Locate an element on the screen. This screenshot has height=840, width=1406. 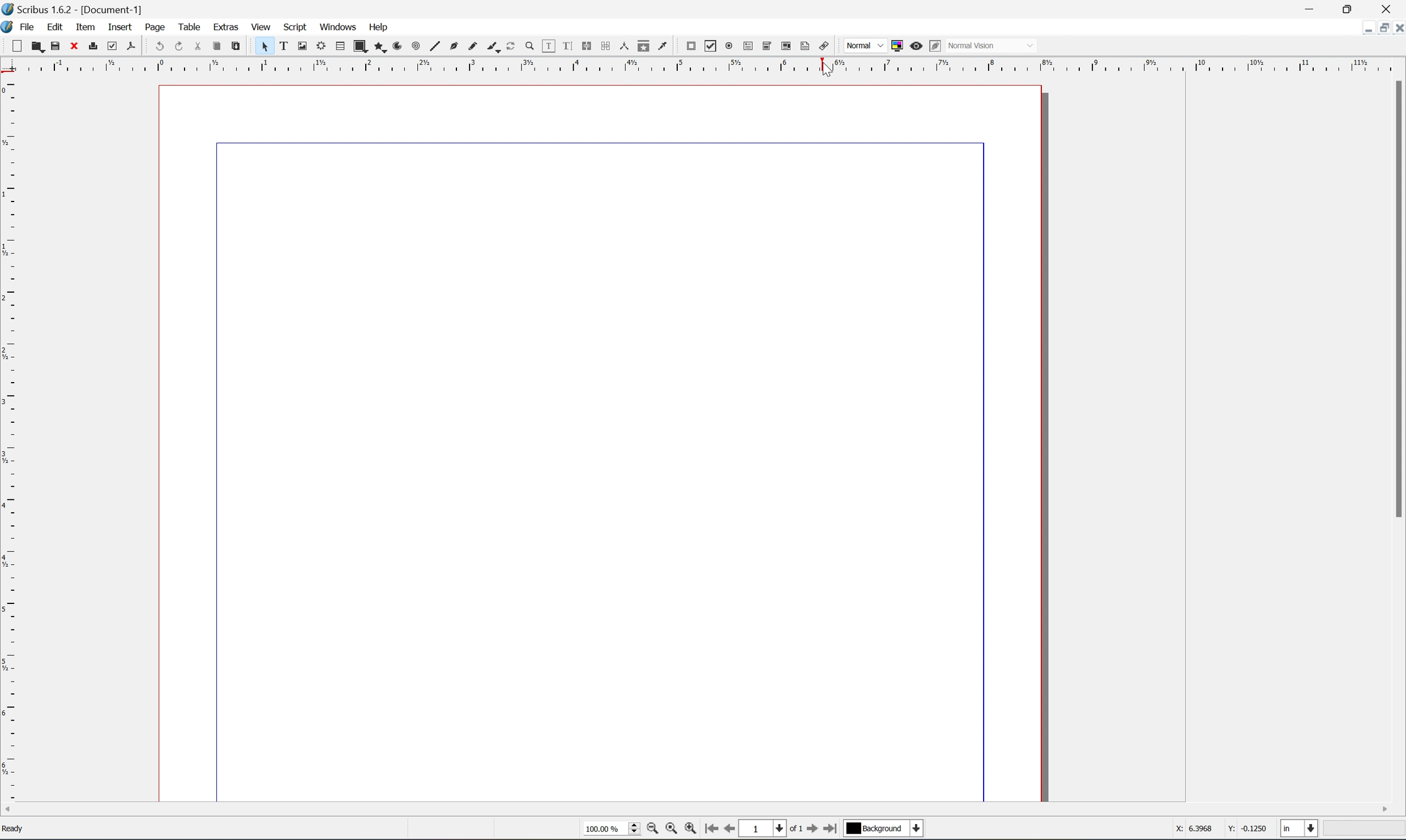
zoom in or zoom out is located at coordinates (530, 47).